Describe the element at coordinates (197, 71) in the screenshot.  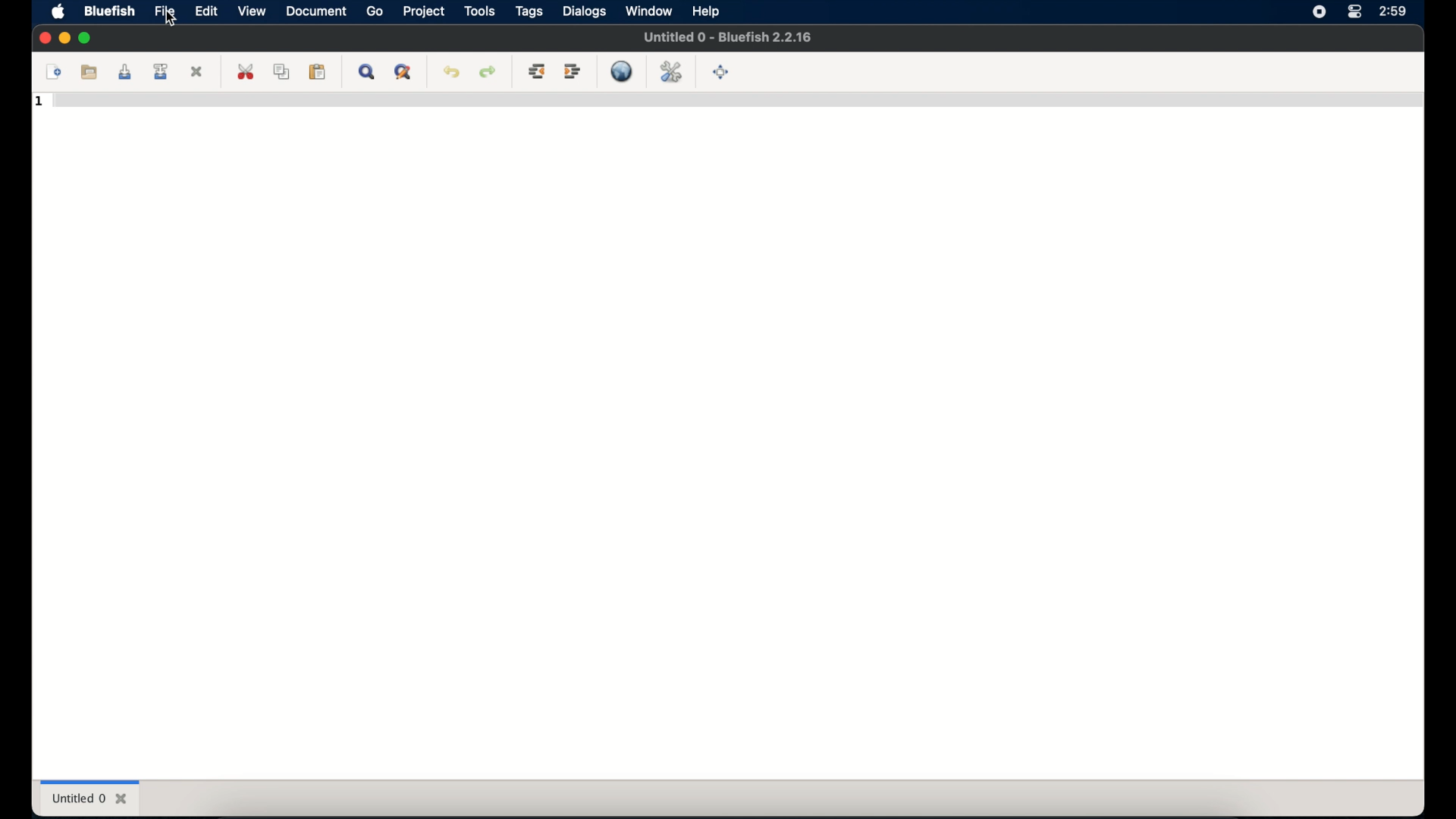
I see `close current file` at that location.